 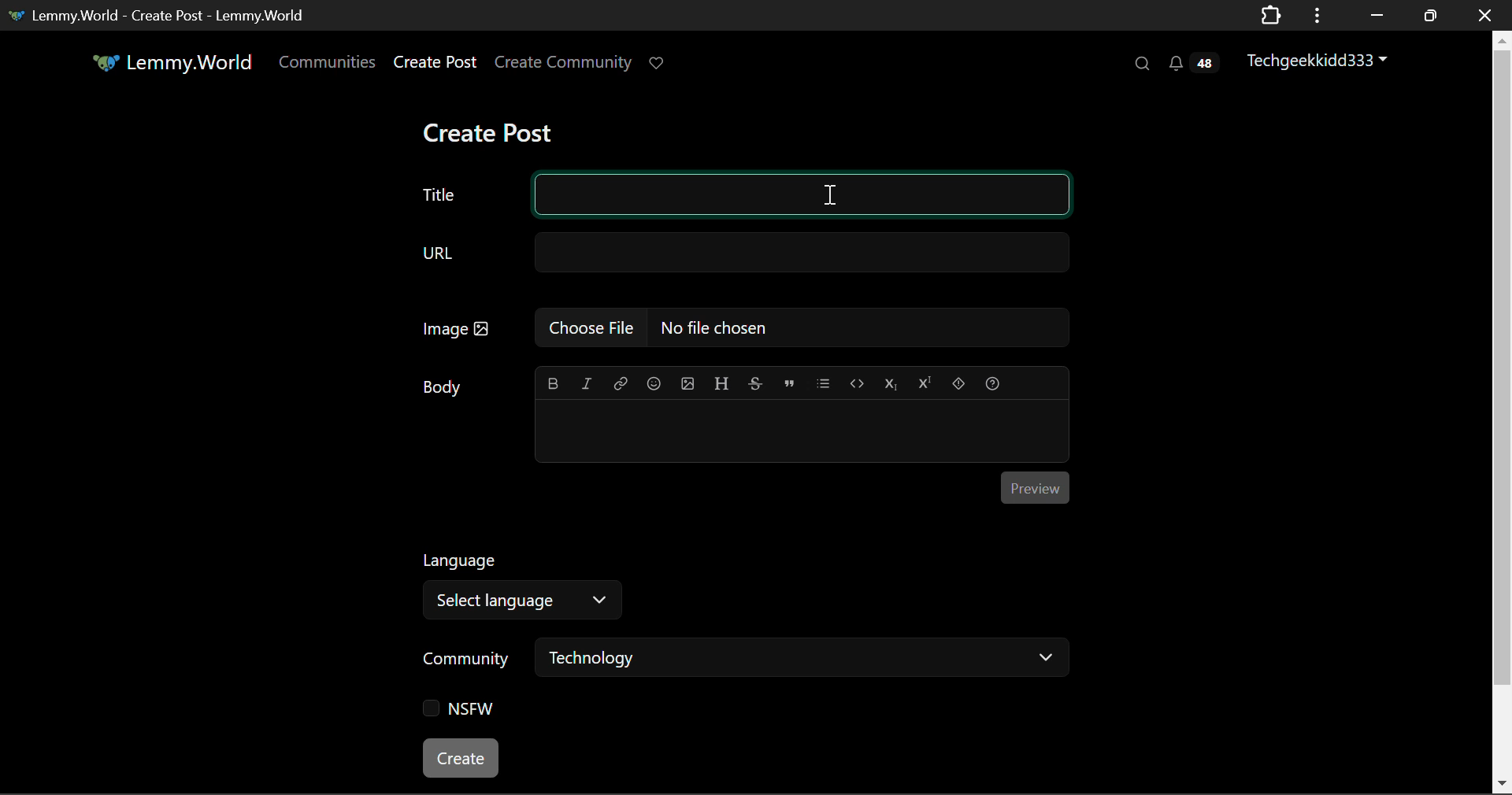 I want to click on Minimize Window, so click(x=1432, y=15).